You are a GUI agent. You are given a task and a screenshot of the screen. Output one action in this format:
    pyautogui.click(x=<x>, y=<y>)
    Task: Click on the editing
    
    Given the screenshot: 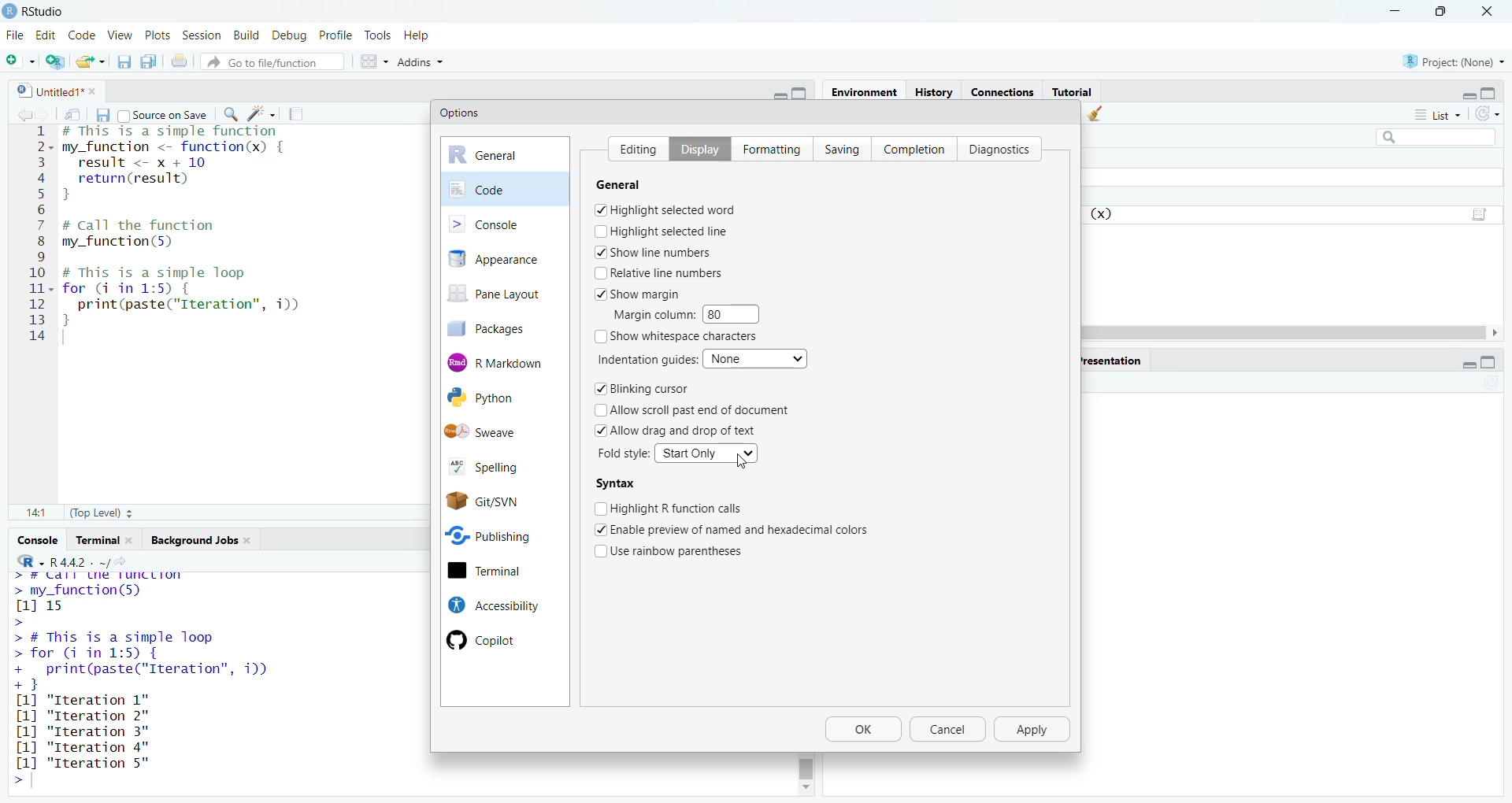 What is the action you would take?
    pyautogui.click(x=633, y=146)
    